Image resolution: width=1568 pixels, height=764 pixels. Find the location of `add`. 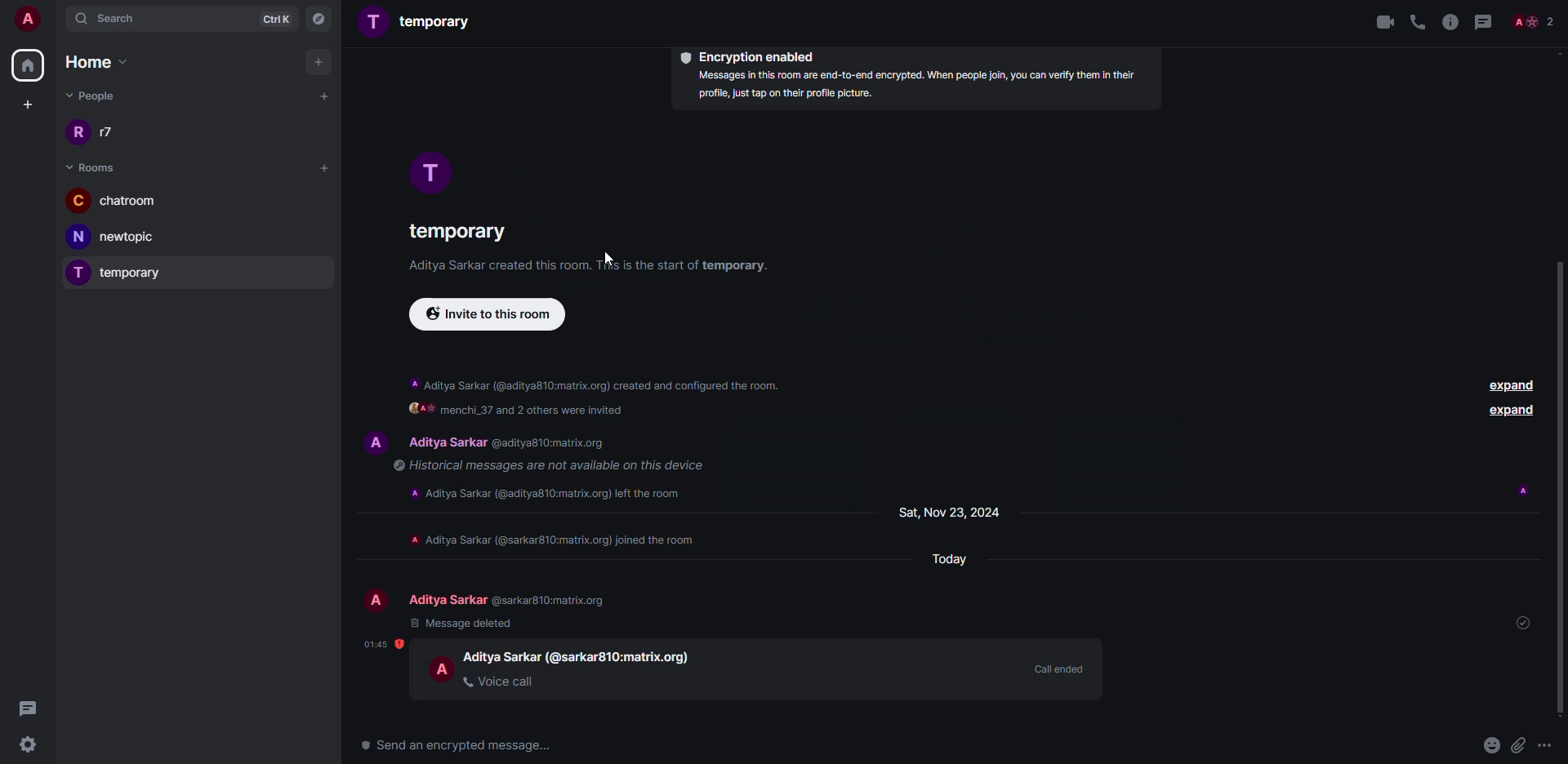

add is located at coordinates (324, 95).